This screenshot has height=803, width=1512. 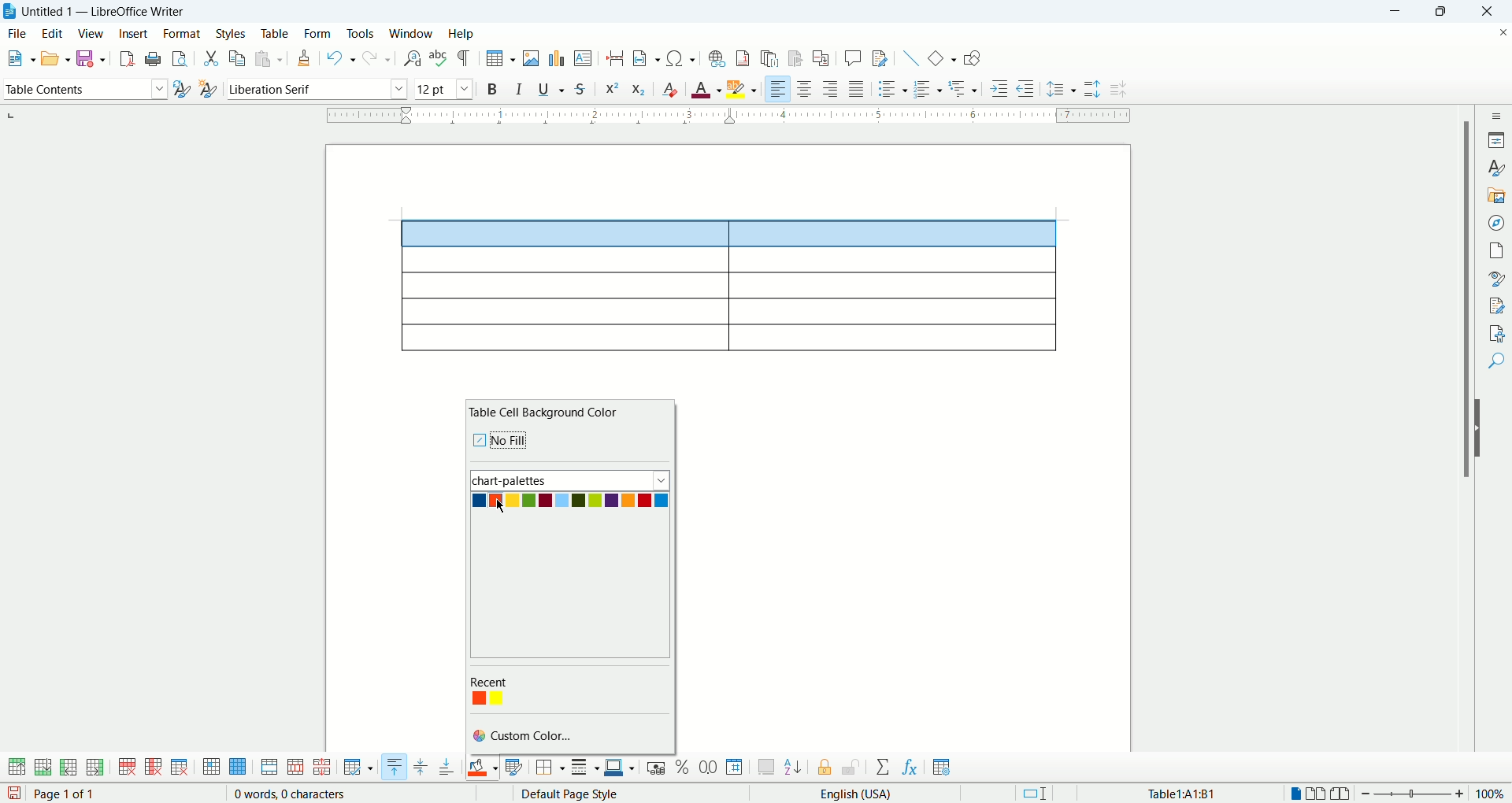 What do you see at coordinates (1002, 87) in the screenshot?
I see `increase indent` at bounding box center [1002, 87].